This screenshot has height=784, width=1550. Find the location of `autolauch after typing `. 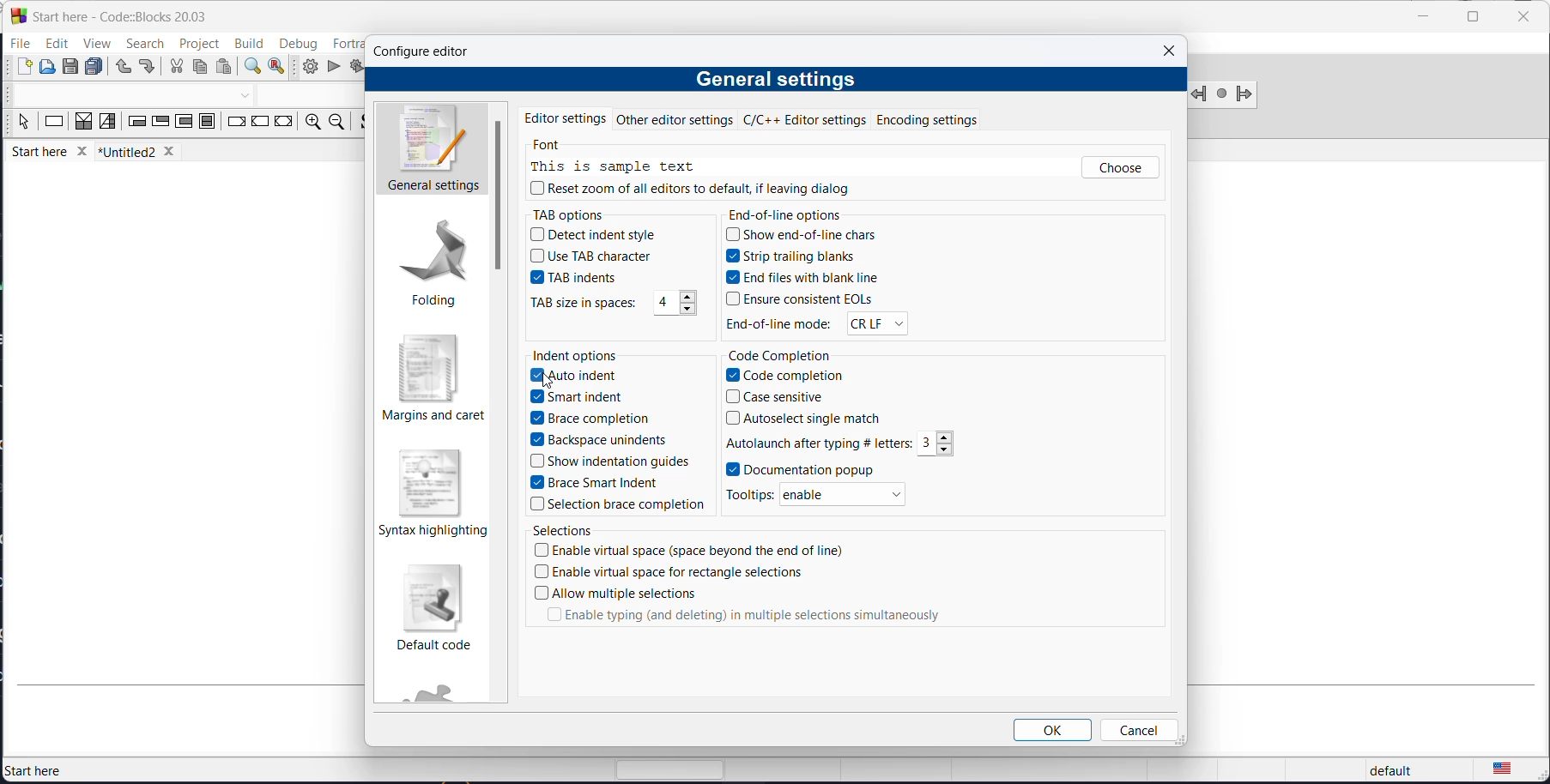

autolauch after typing  is located at coordinates (817, 441).